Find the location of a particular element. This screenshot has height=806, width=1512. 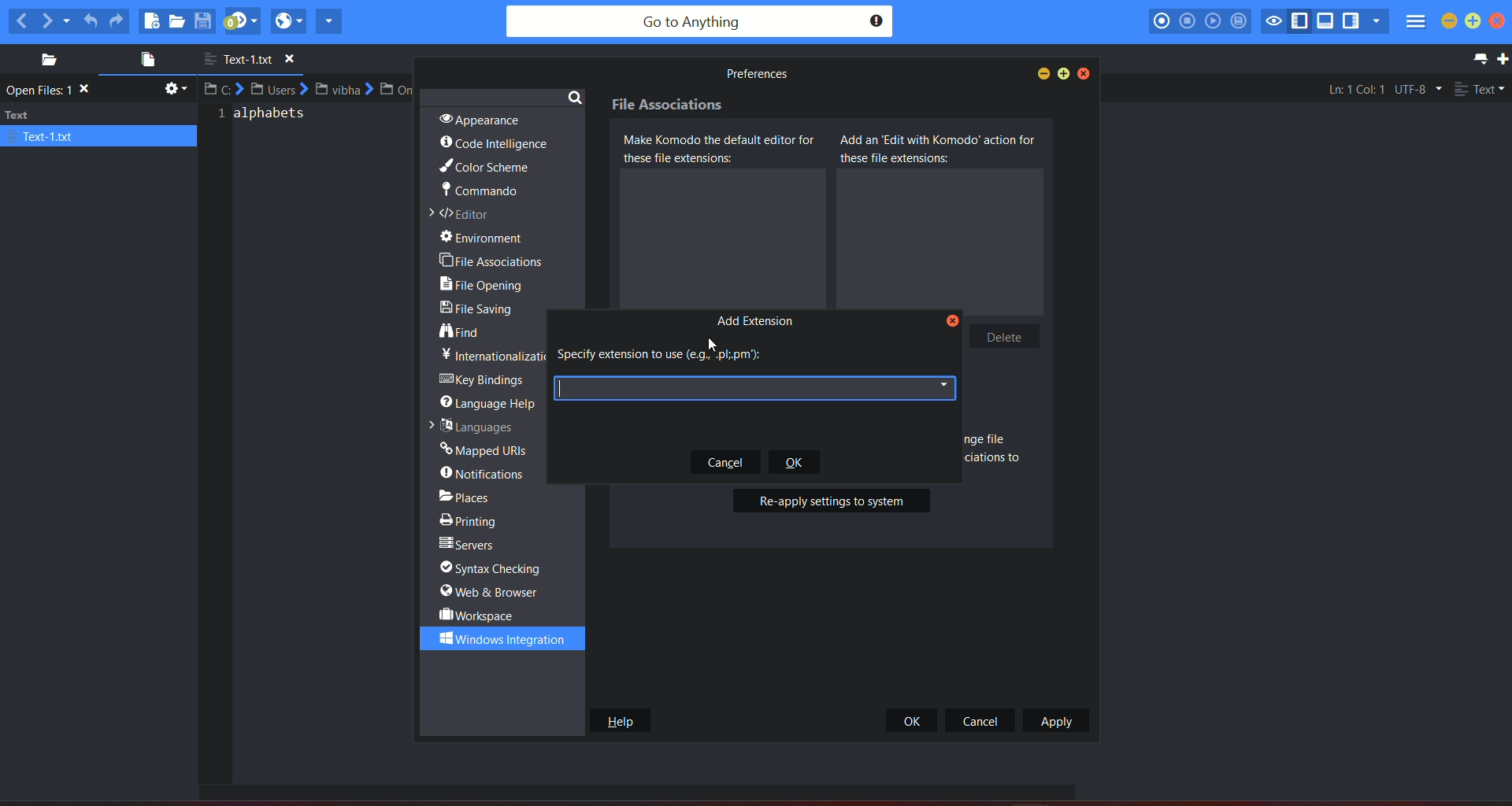

open file is located at coordinates (143, 61).